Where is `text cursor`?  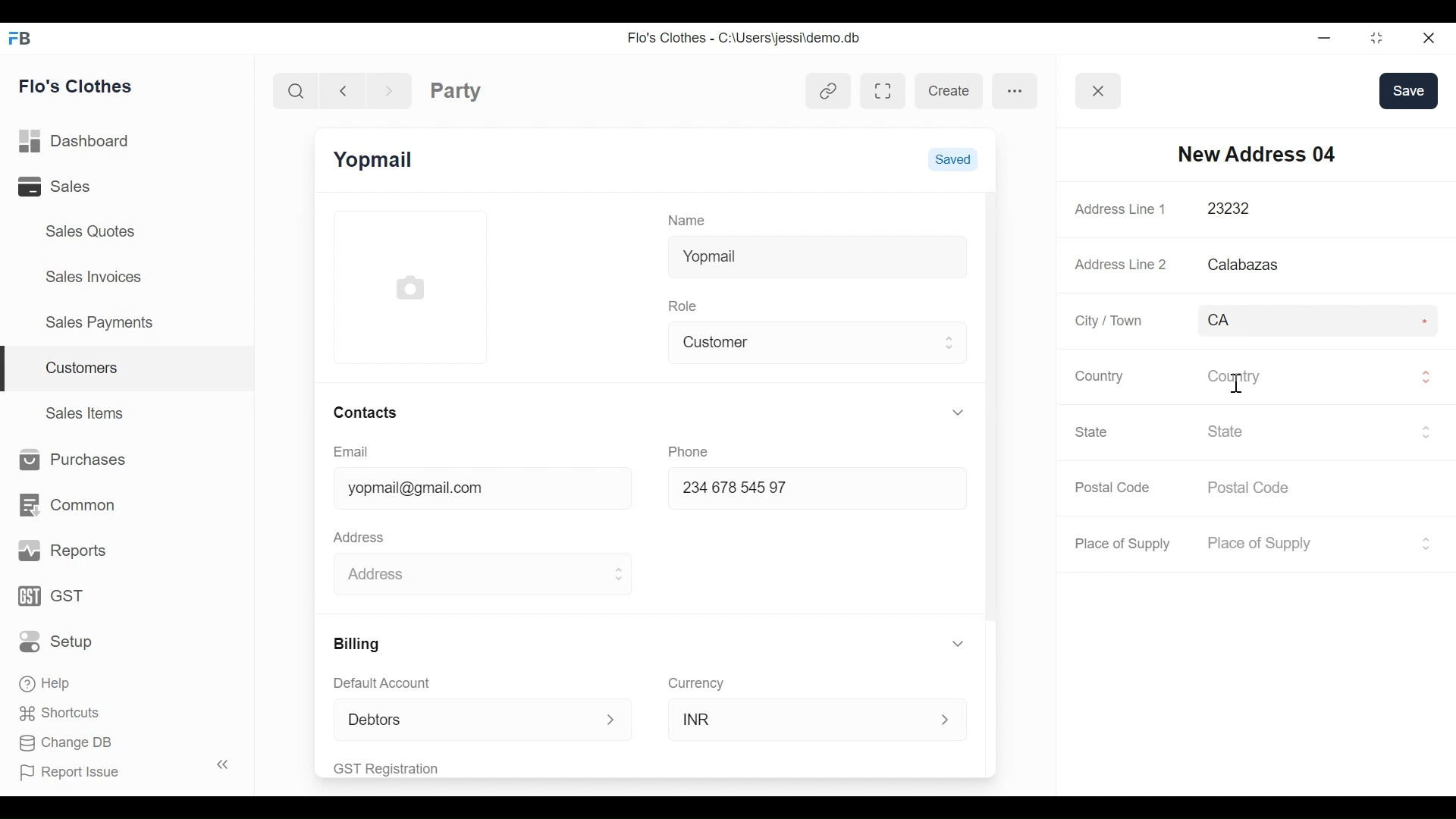 text cursor is located at coordinates (1236, 383).